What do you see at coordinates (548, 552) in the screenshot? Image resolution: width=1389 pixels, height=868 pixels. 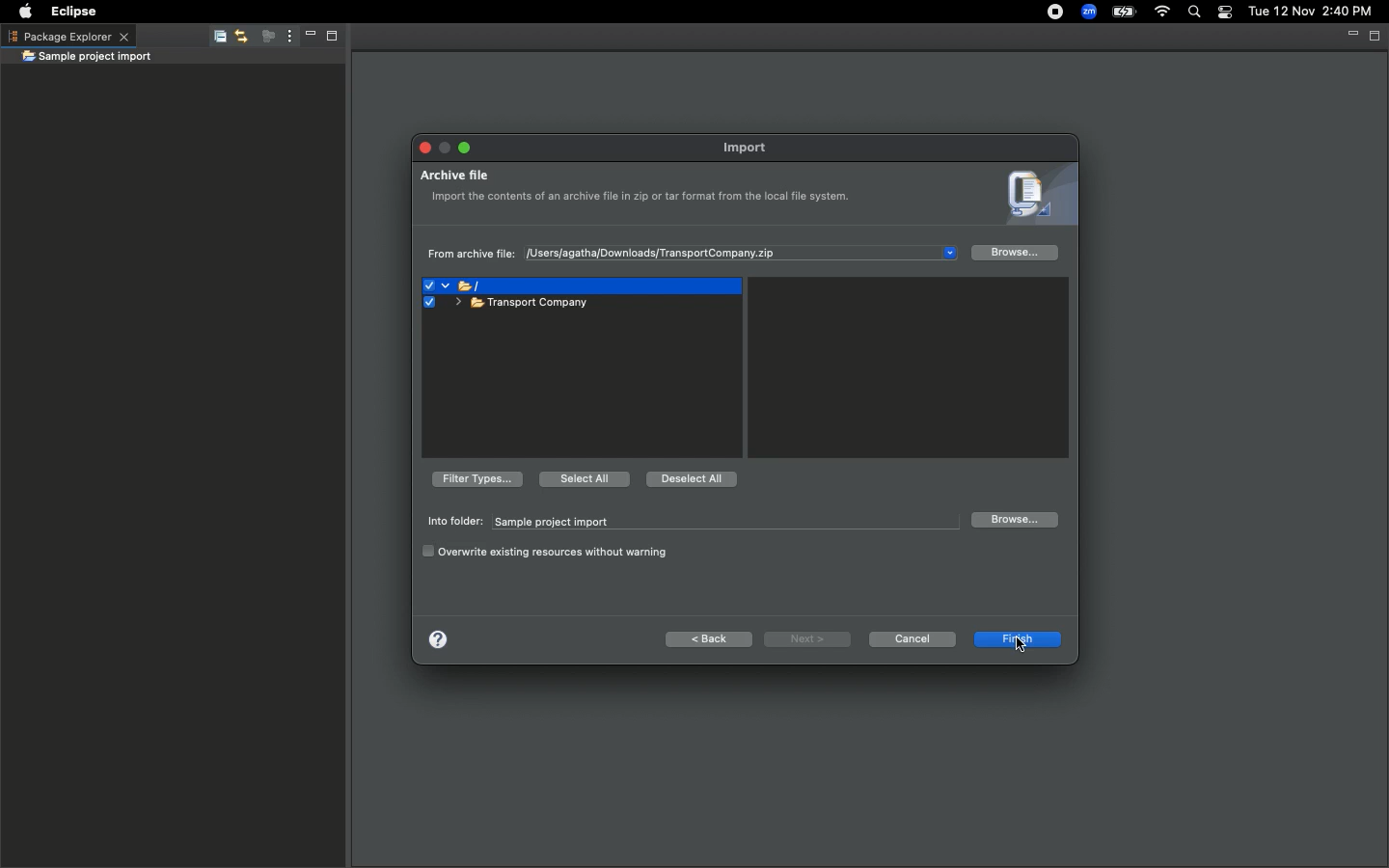 I see `Overwrite existing resources without warning` at bounding box center [548, 552].